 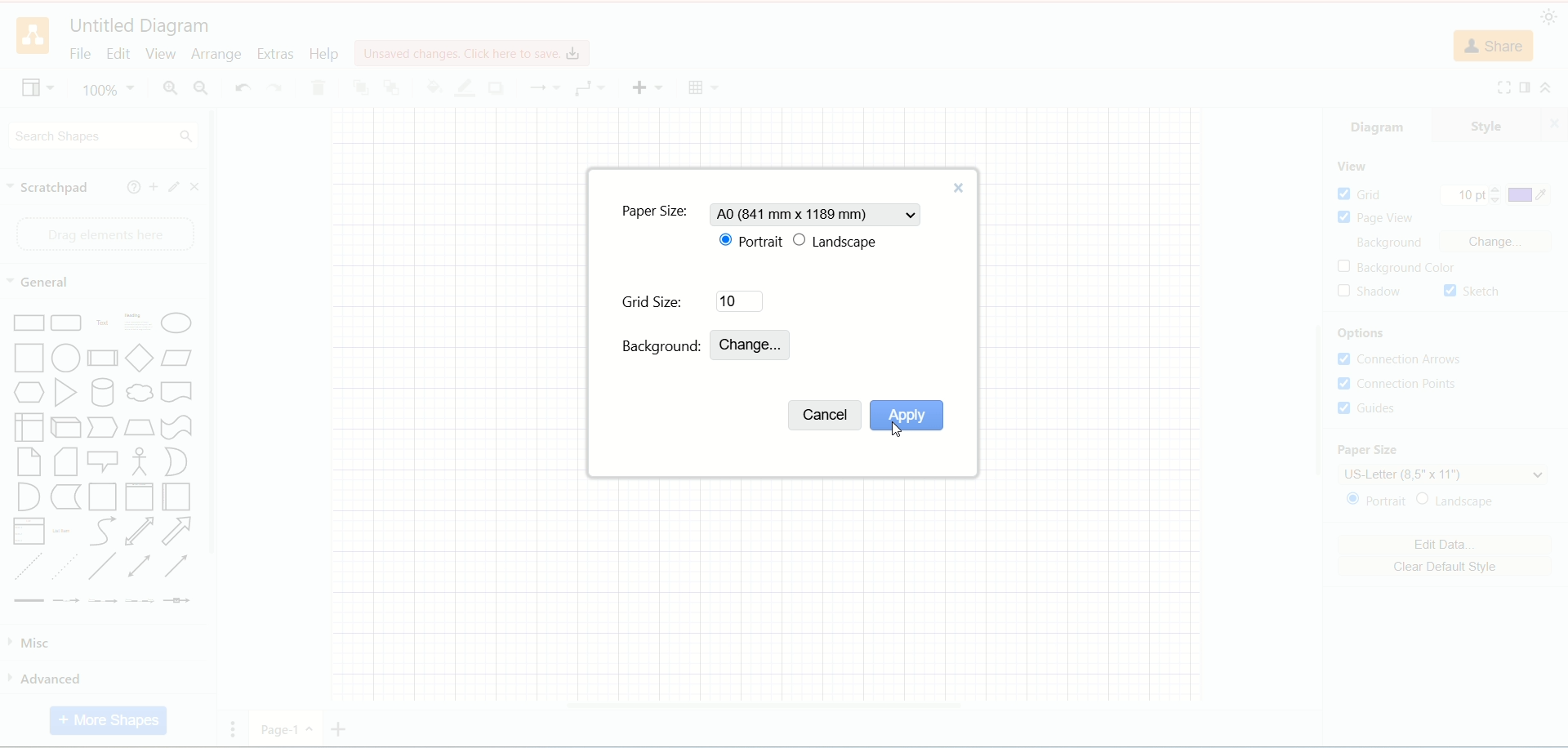 What do you see at coordinates (141, 359) in the screenshot?
I see `Diamond` at bounding box center [141, 359].